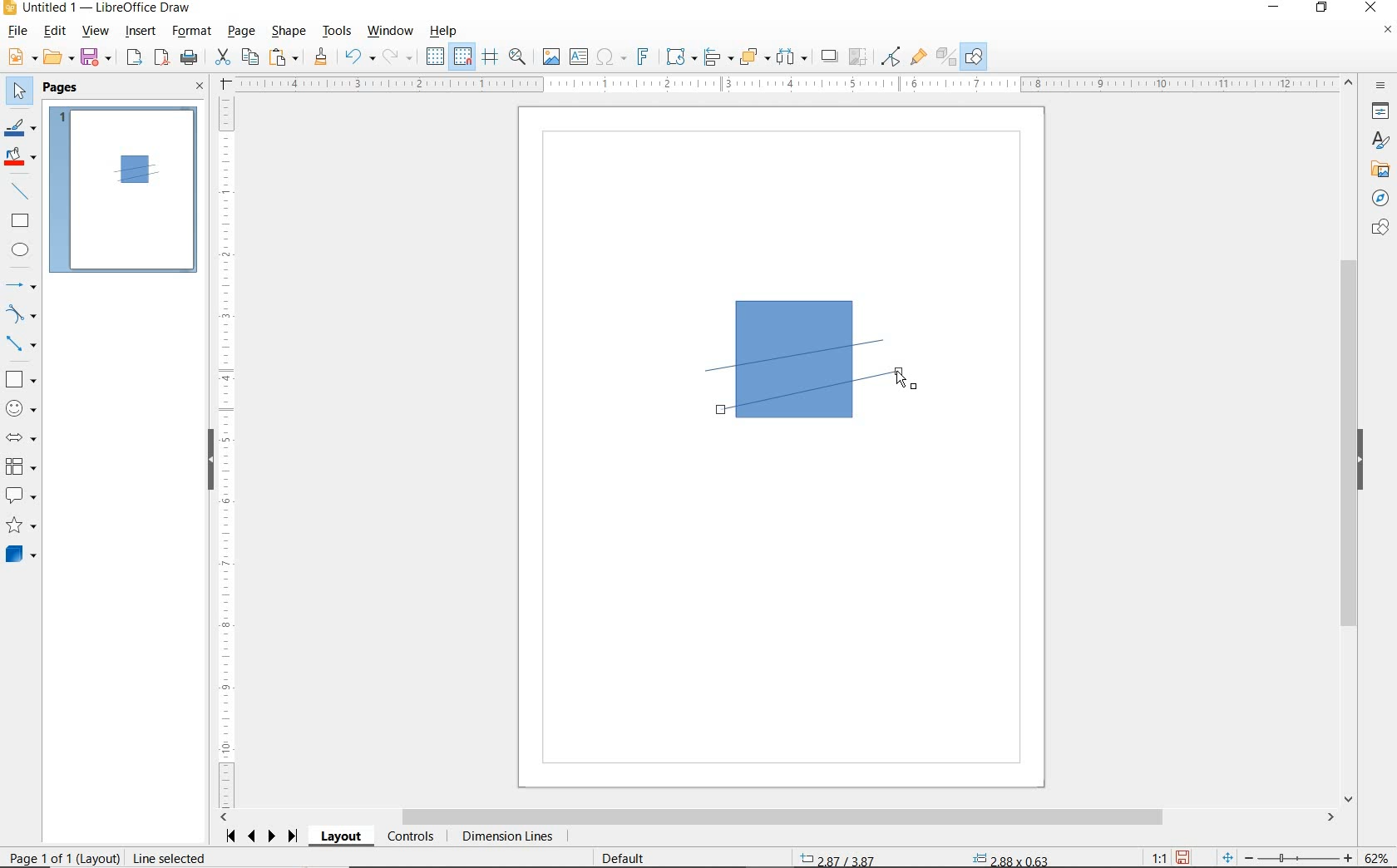  Describe the element at coordinates (24, 466) in the screenshot. I see `FLOWCHART` at that location.